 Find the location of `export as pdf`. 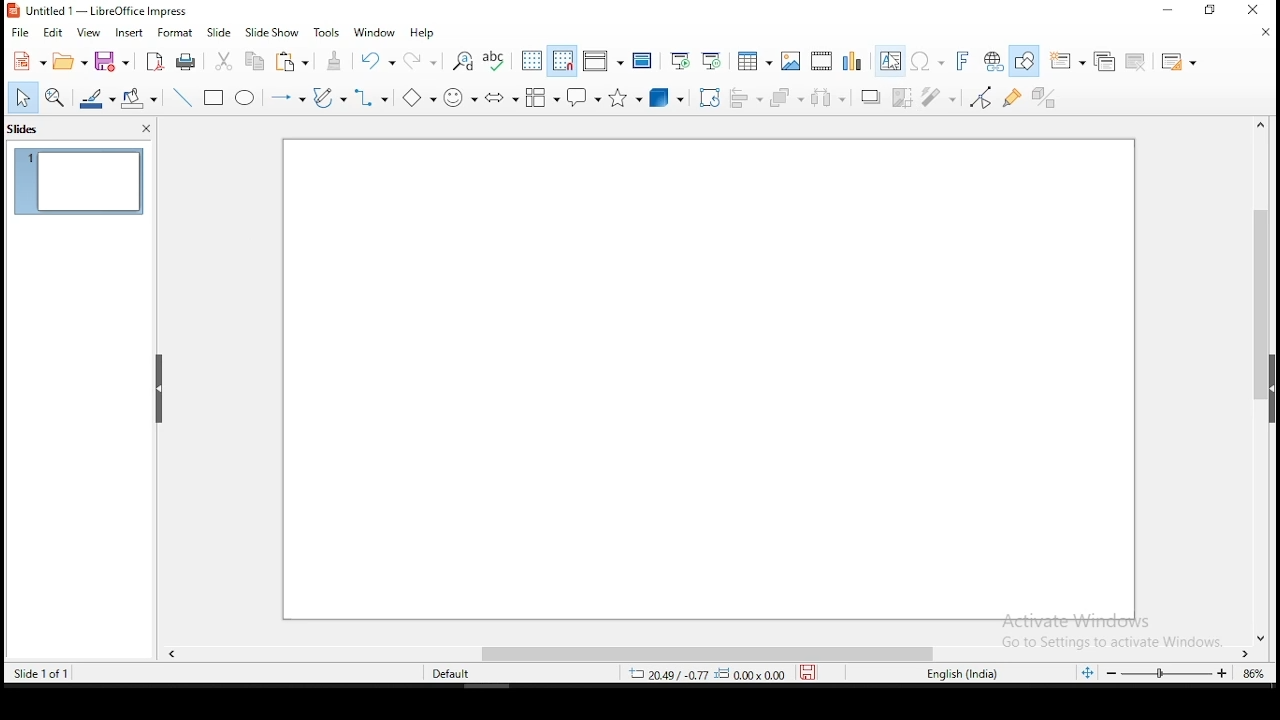

export as pdf is located at coordinates (156, 62).